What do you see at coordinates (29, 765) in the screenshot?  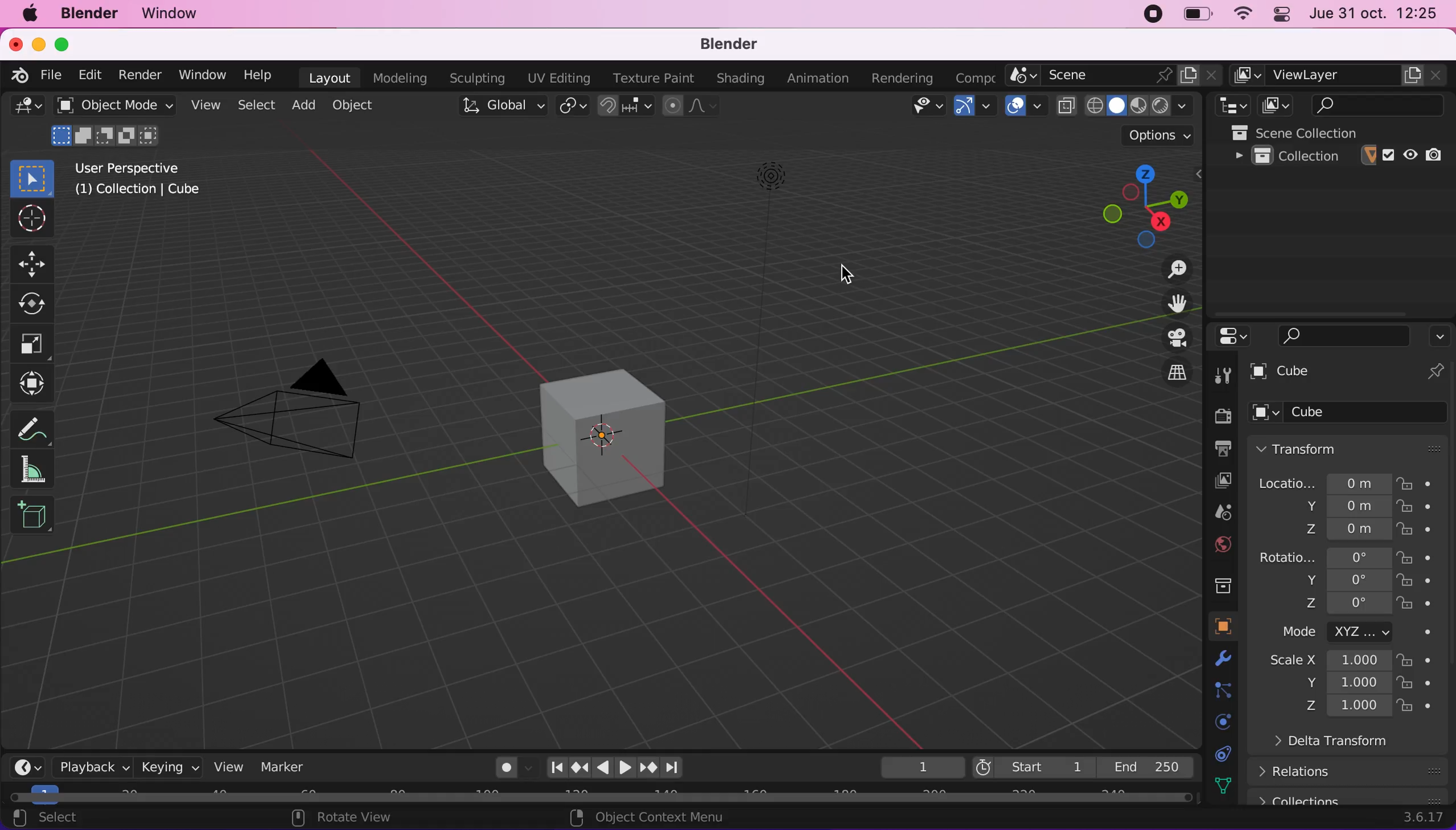 I see `editor type` at bounding box center [29, 765].